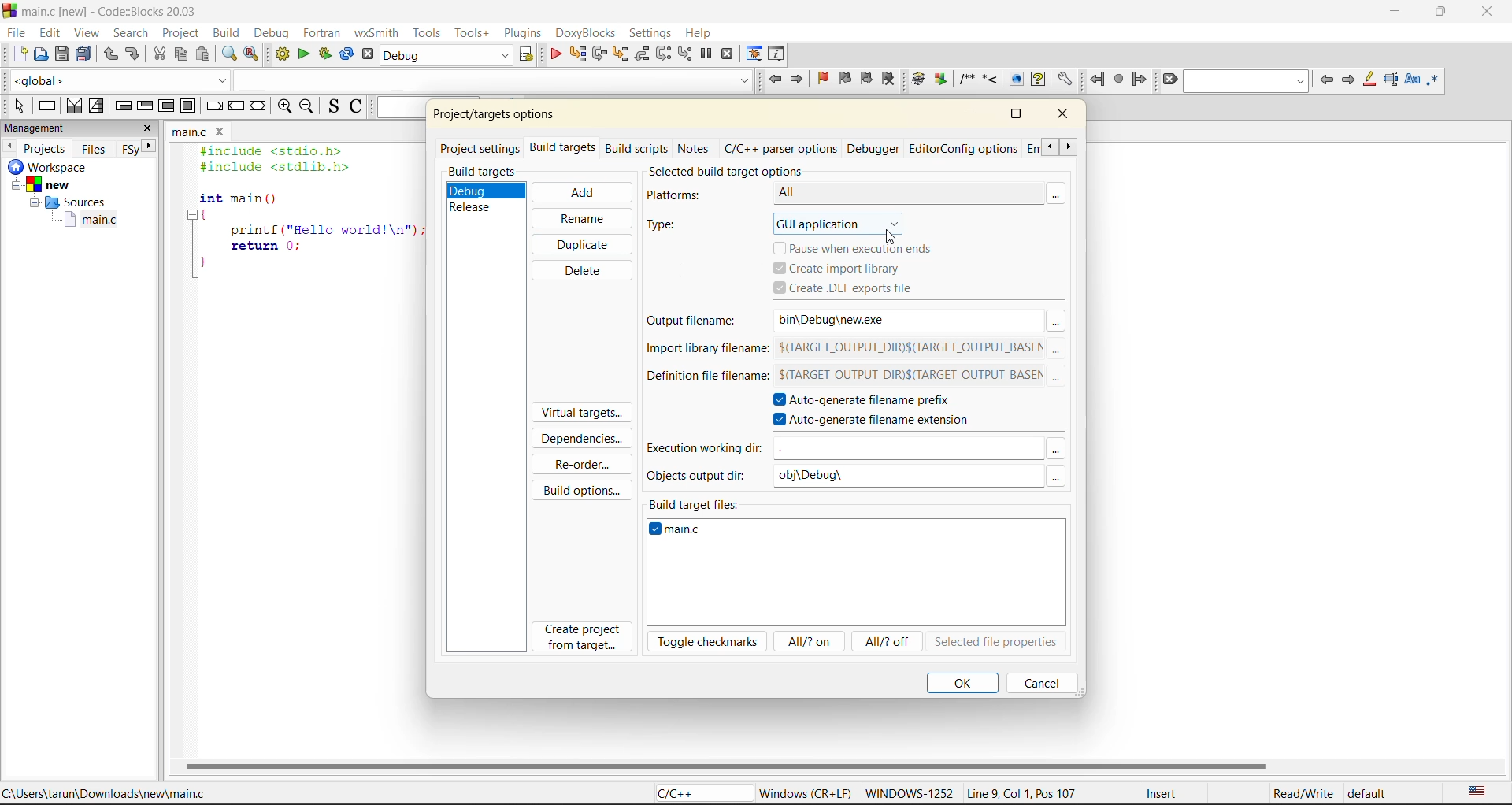  I want to click on settings, so click(651, 34).